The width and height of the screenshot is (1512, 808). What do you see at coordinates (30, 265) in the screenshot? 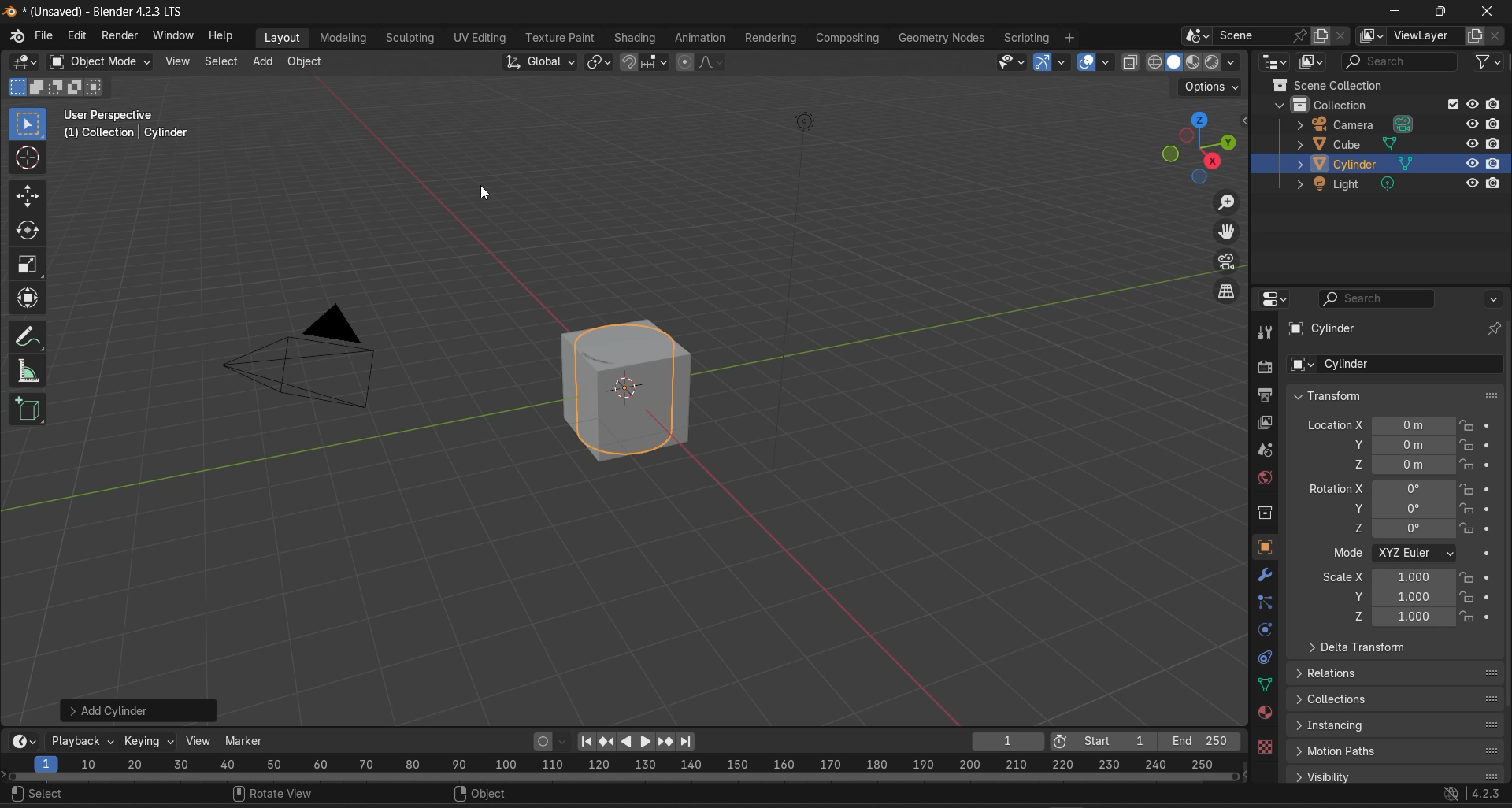
I see `scale` at bounding box center [30, 265].